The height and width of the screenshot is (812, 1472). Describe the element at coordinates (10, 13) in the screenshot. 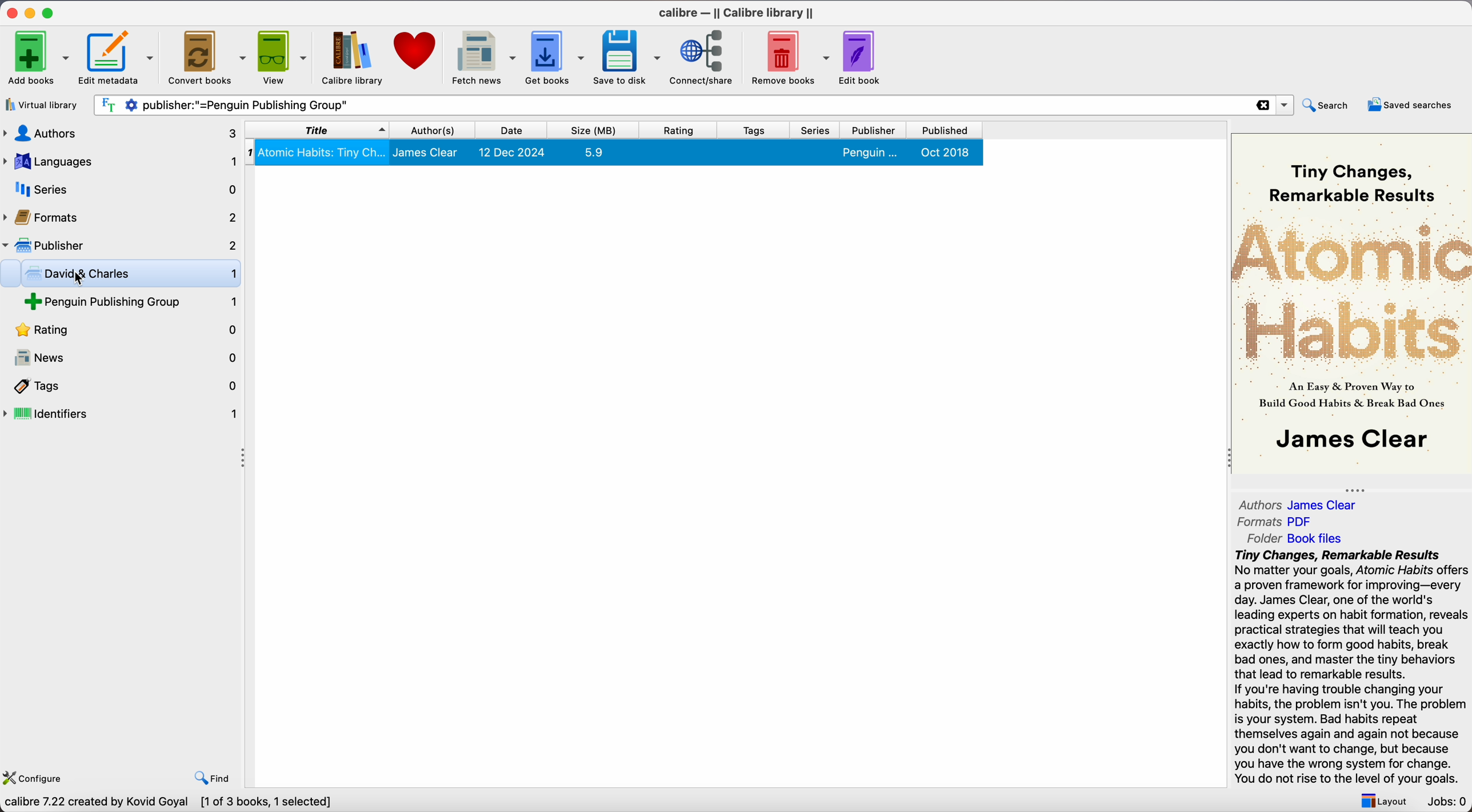

I see `close` at that location.